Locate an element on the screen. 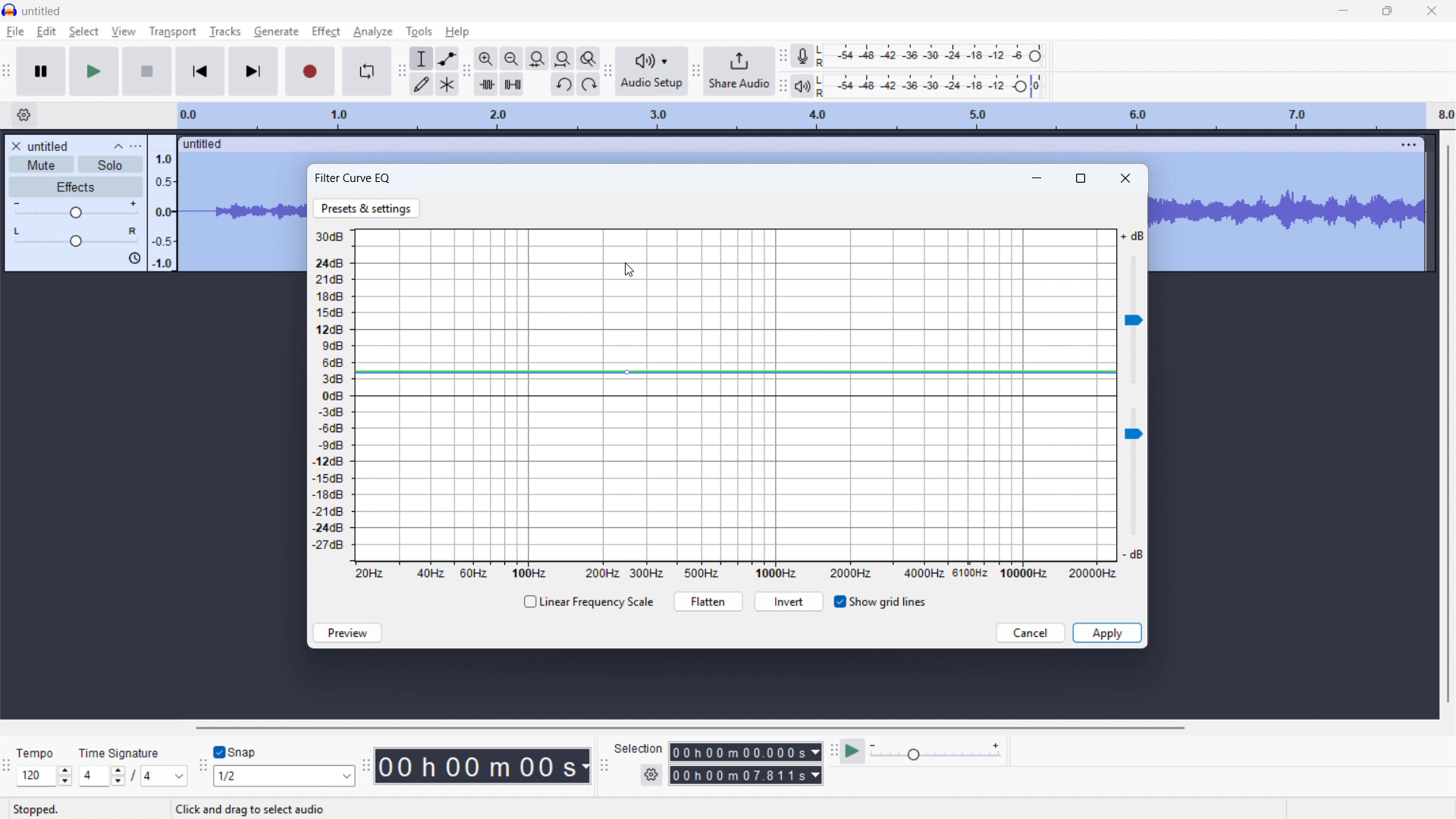  transport is located at coordinates (171, 32).